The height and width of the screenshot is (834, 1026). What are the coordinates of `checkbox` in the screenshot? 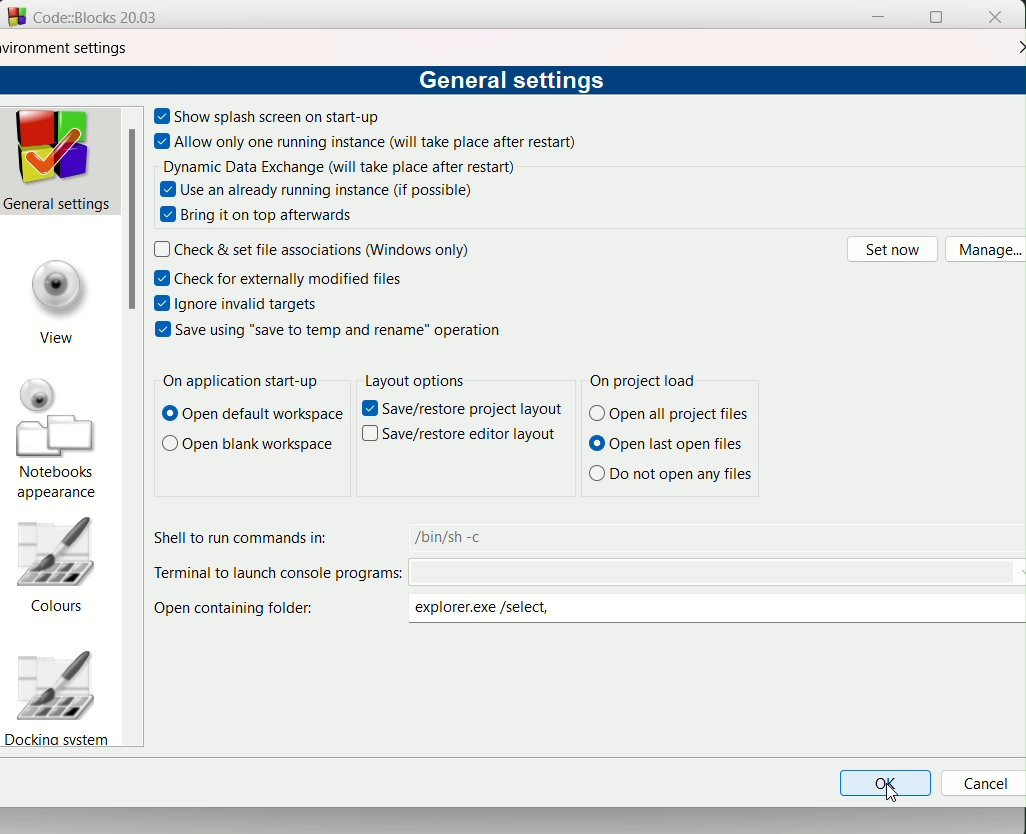 It's located at (162, 303).